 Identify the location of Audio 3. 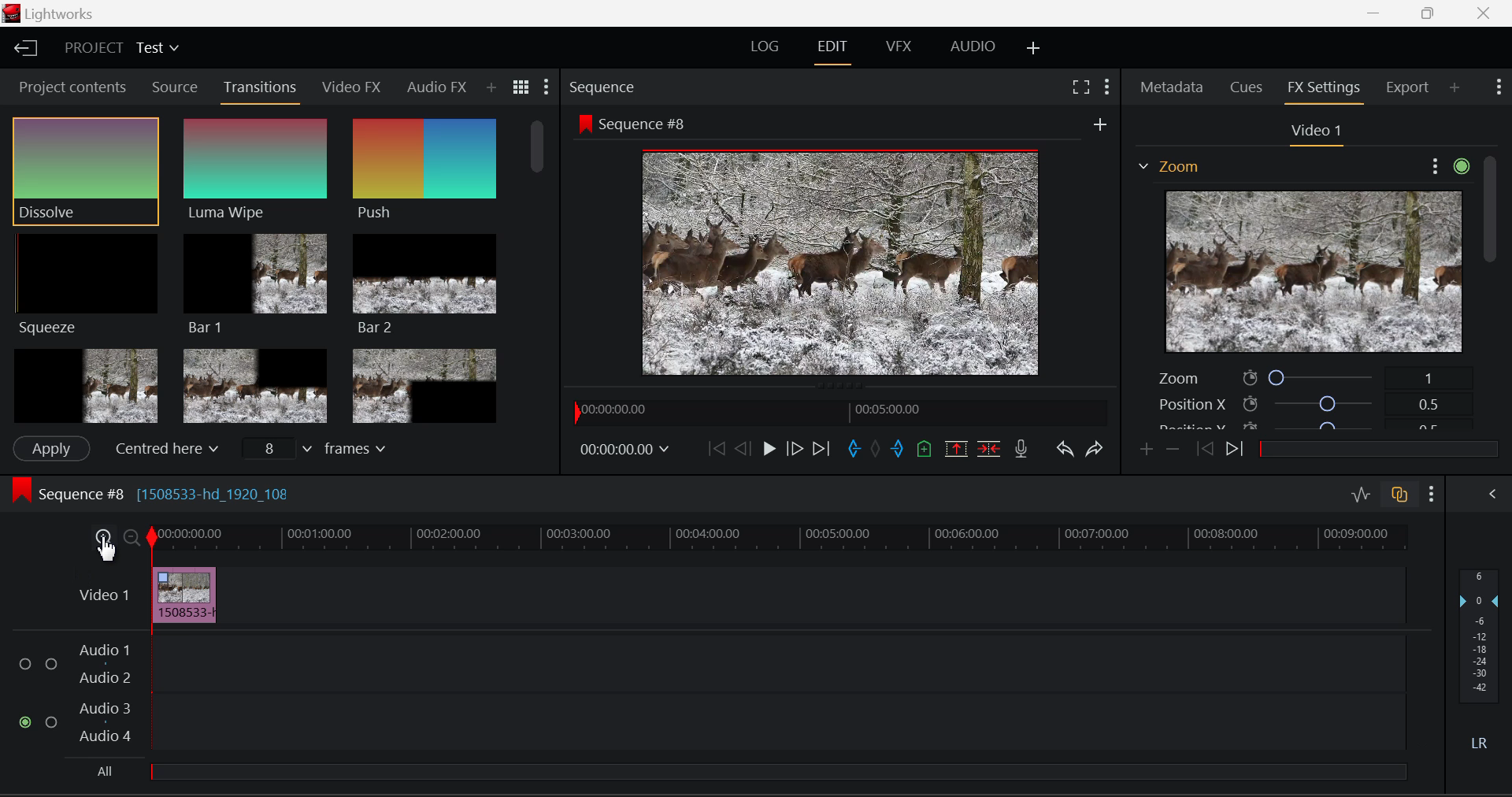
(104, 708).